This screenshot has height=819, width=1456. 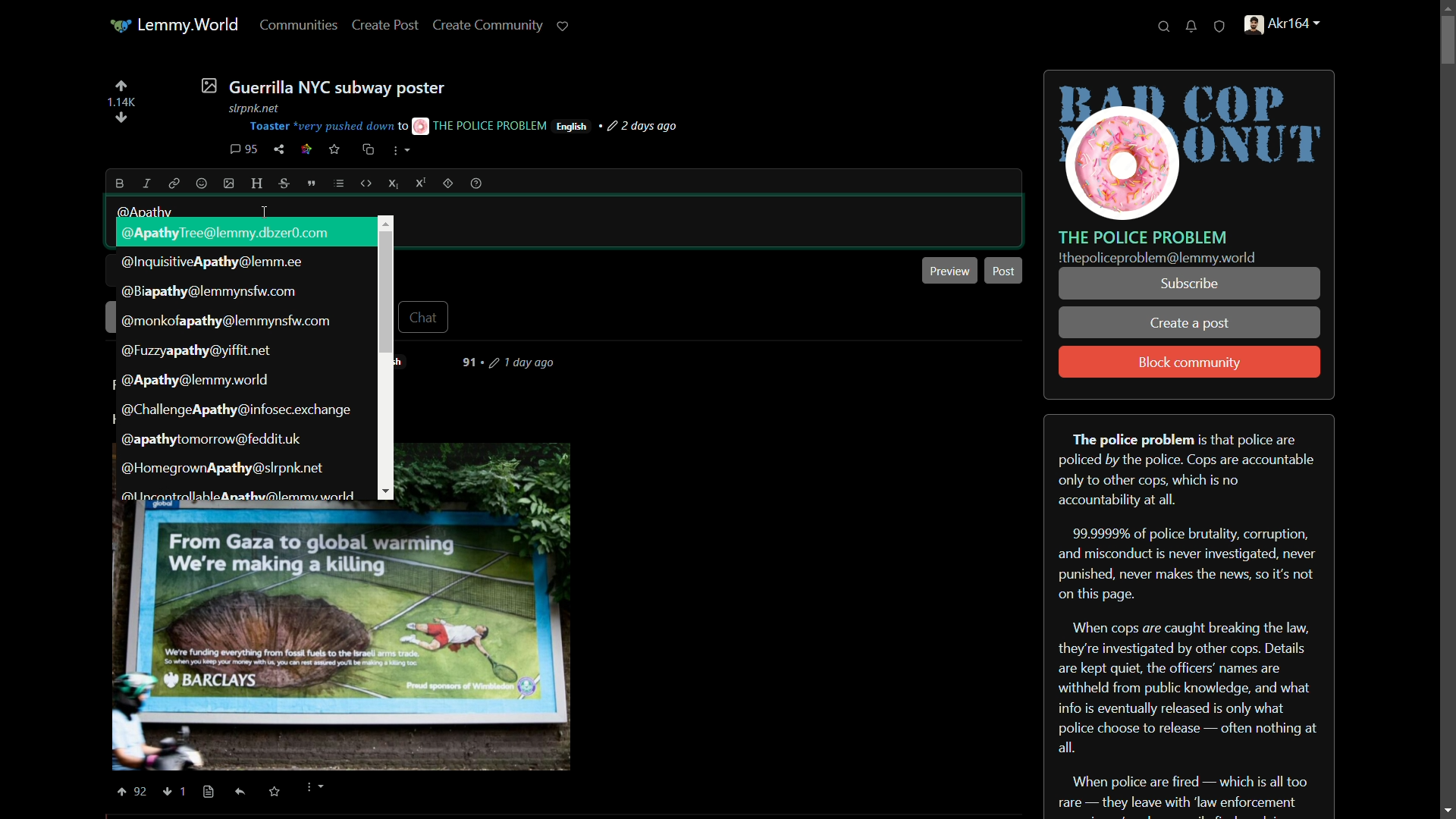 I want to click on suggestion-1, so click(x=231, y=233).